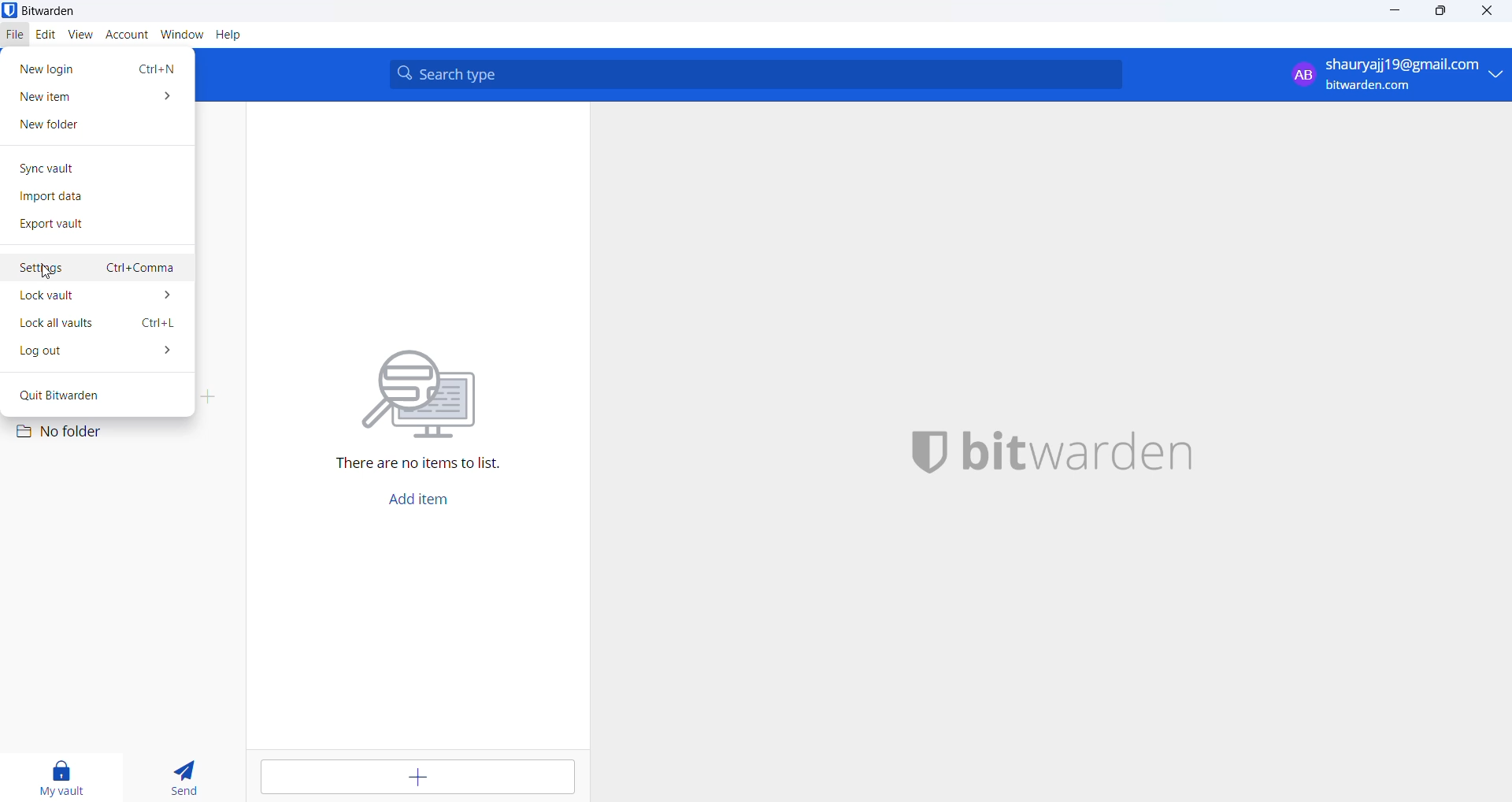 This screenshot has height=802, width=1512. I want to click on shauryajj19@gmail.com bitwarden.com, so click(1416, 72).